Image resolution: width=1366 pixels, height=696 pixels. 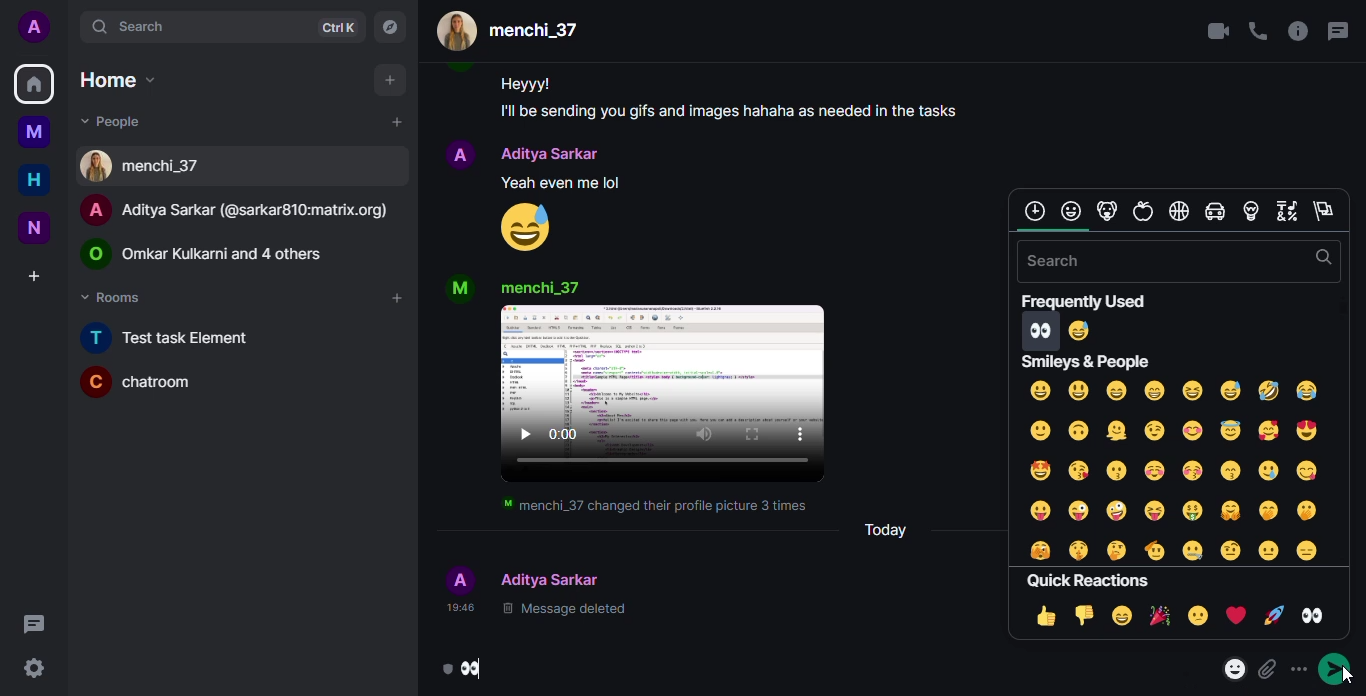 I want to click on activities, so click(x=1177, y=210).